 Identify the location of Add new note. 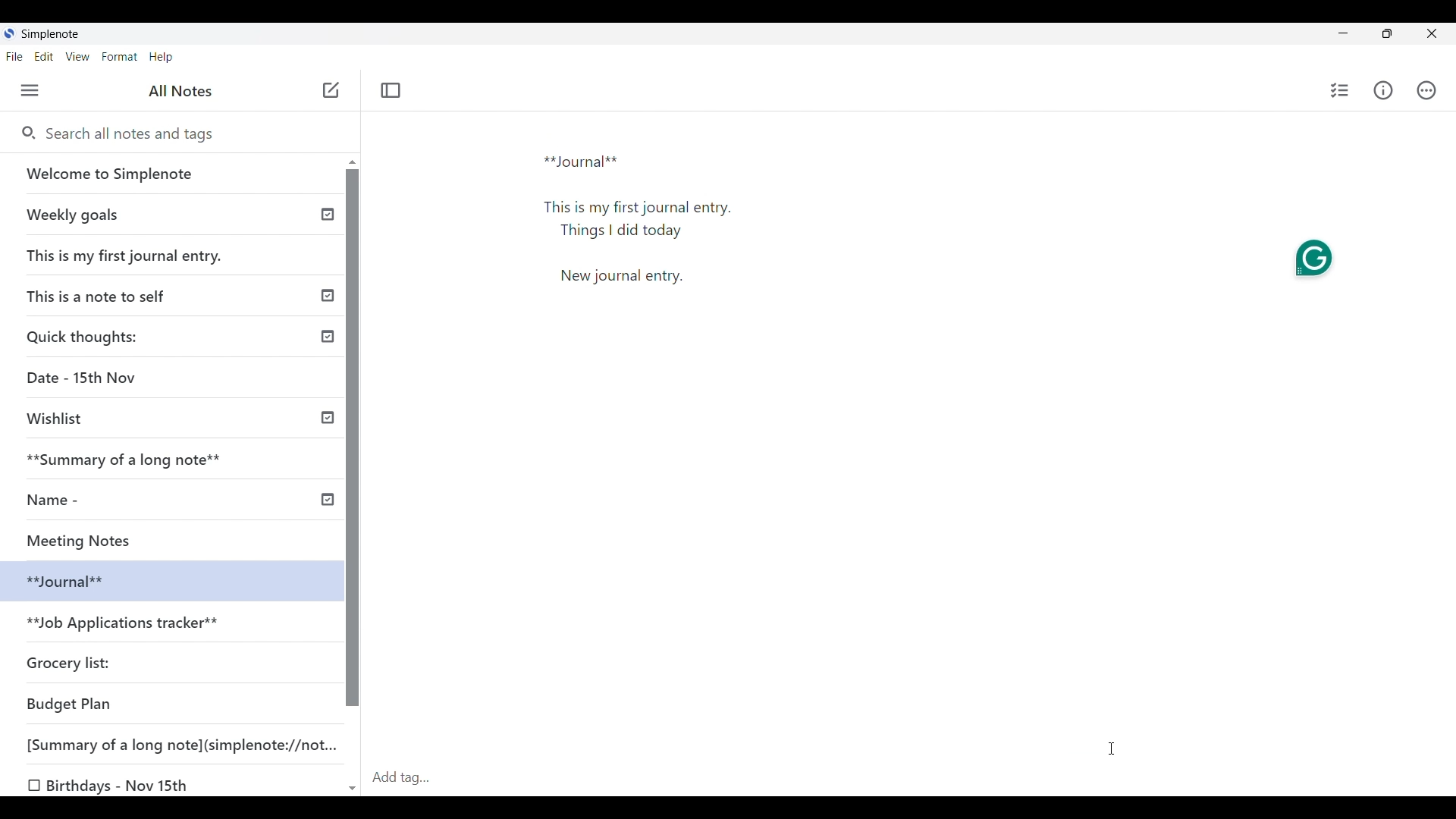
(331, 89).